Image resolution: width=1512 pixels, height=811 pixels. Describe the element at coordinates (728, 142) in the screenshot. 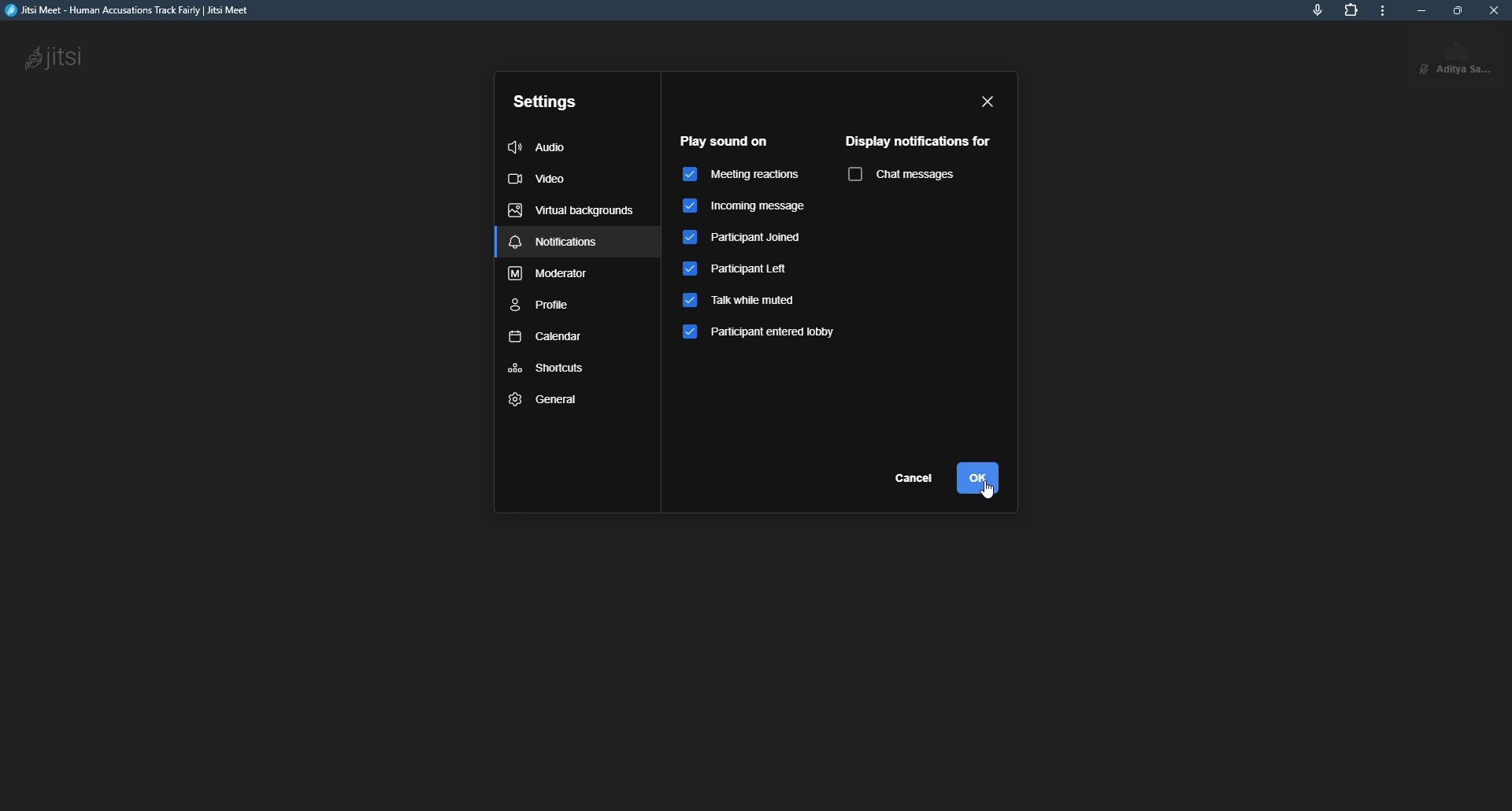

I see `play sound on` at that location.